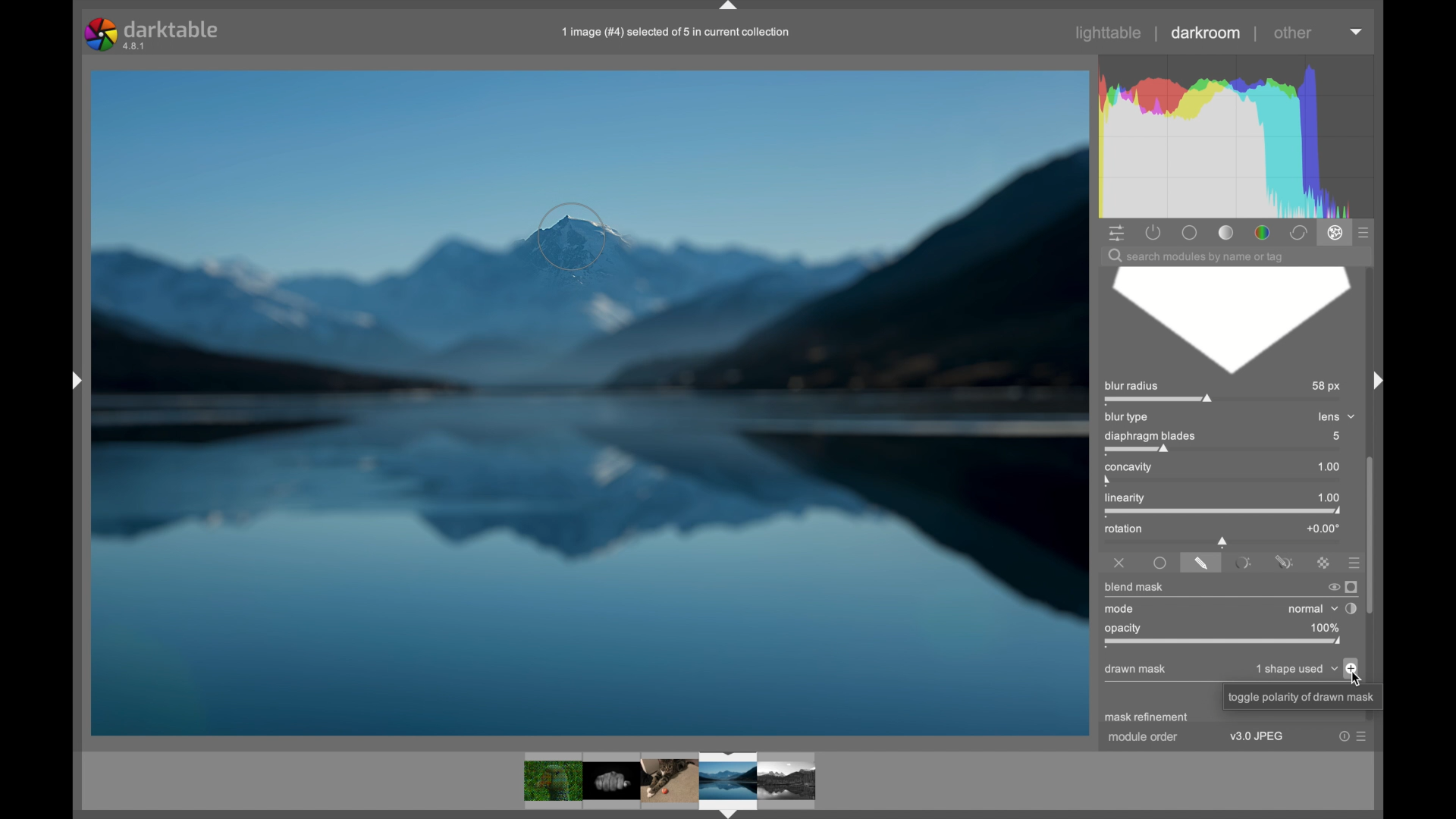  Describe the element at coordinates (1324, 386) in the screenshot. I see `58 px` at that location.